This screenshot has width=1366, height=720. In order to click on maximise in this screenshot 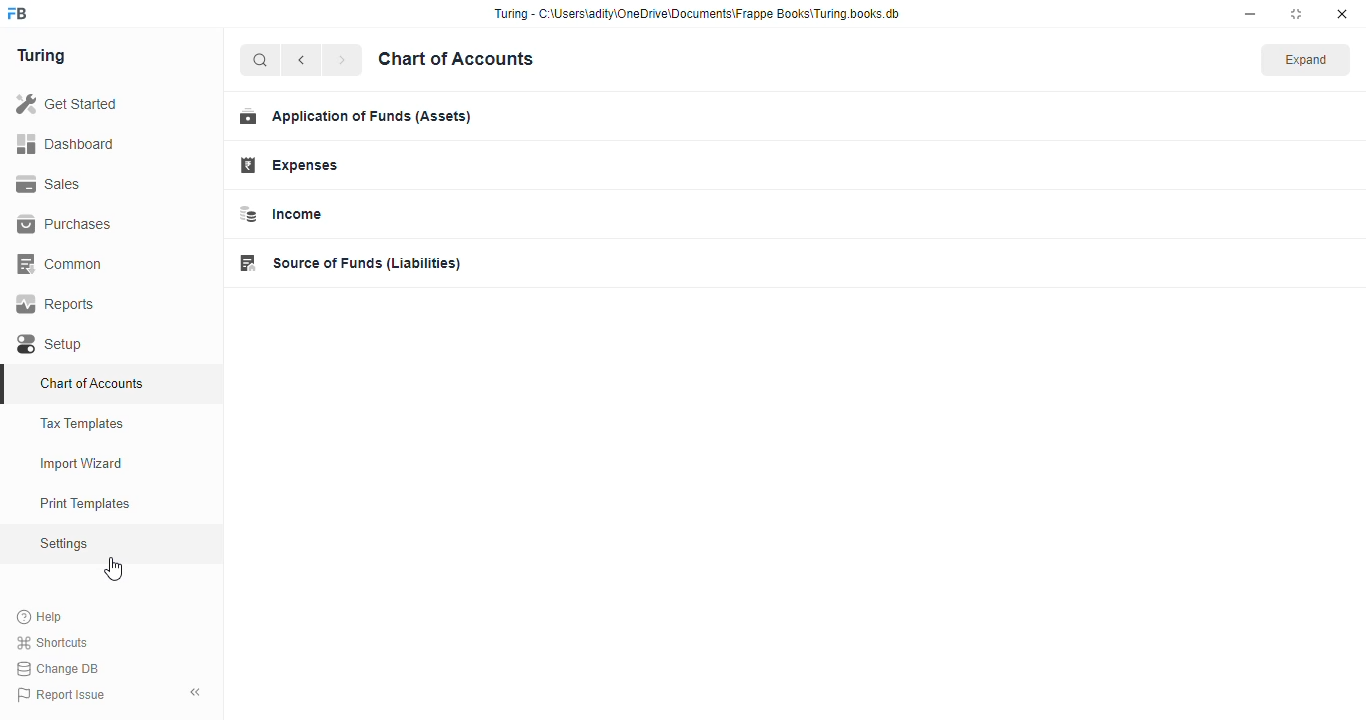, I will do `click(1299, 14)`.